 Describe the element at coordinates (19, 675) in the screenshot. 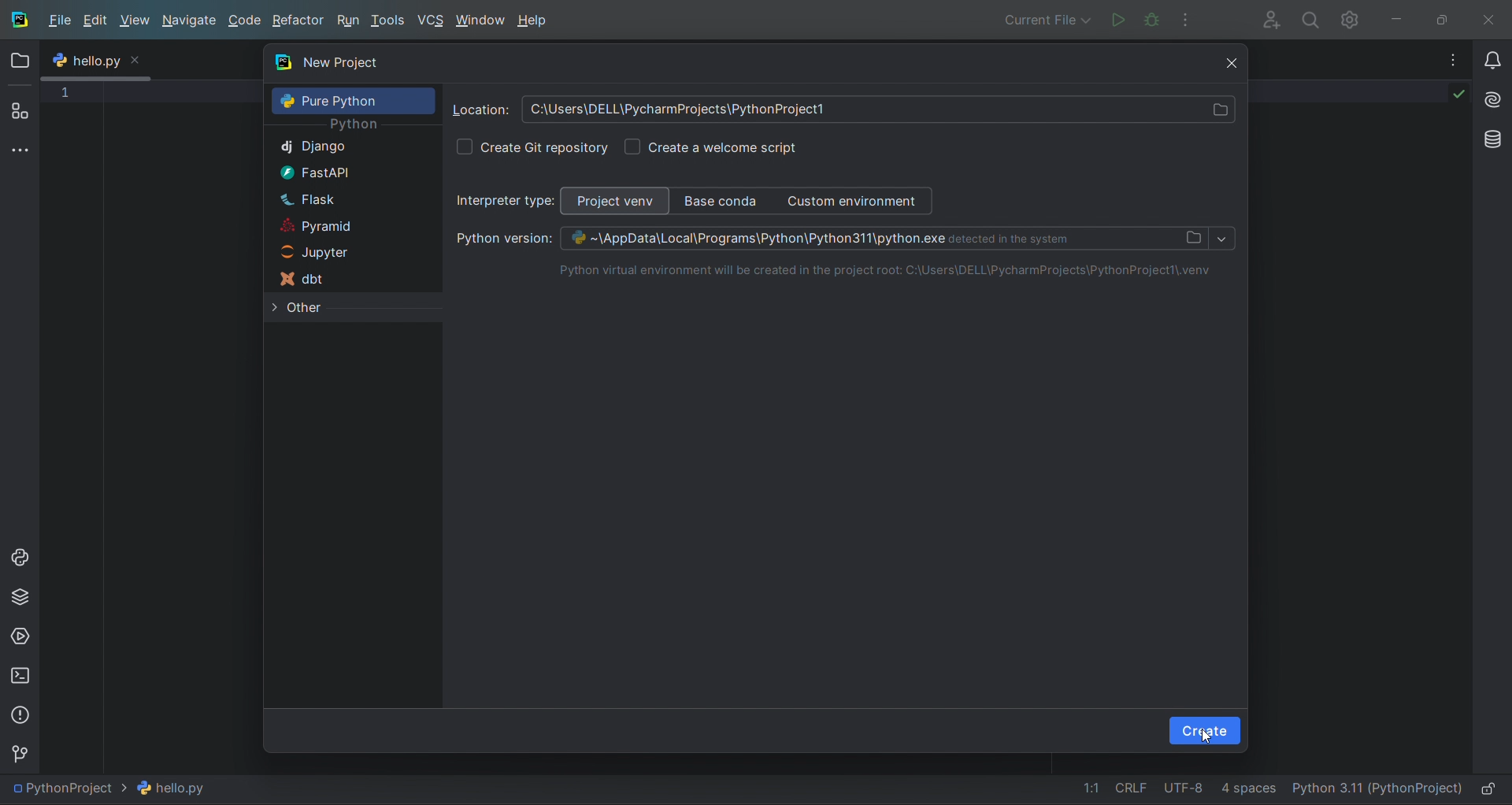

I see `terminal` at that location.